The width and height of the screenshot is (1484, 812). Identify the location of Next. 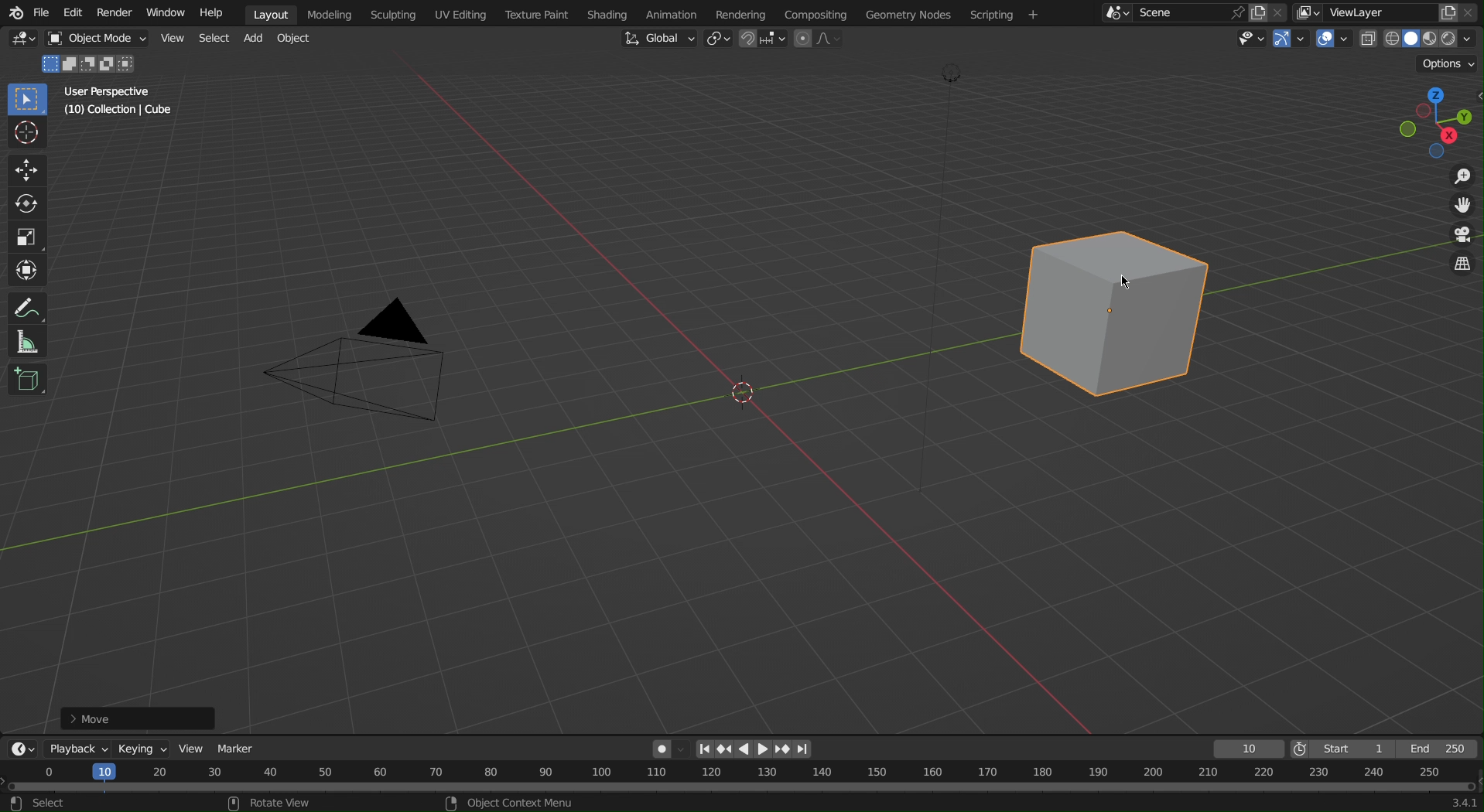
(783, 749).